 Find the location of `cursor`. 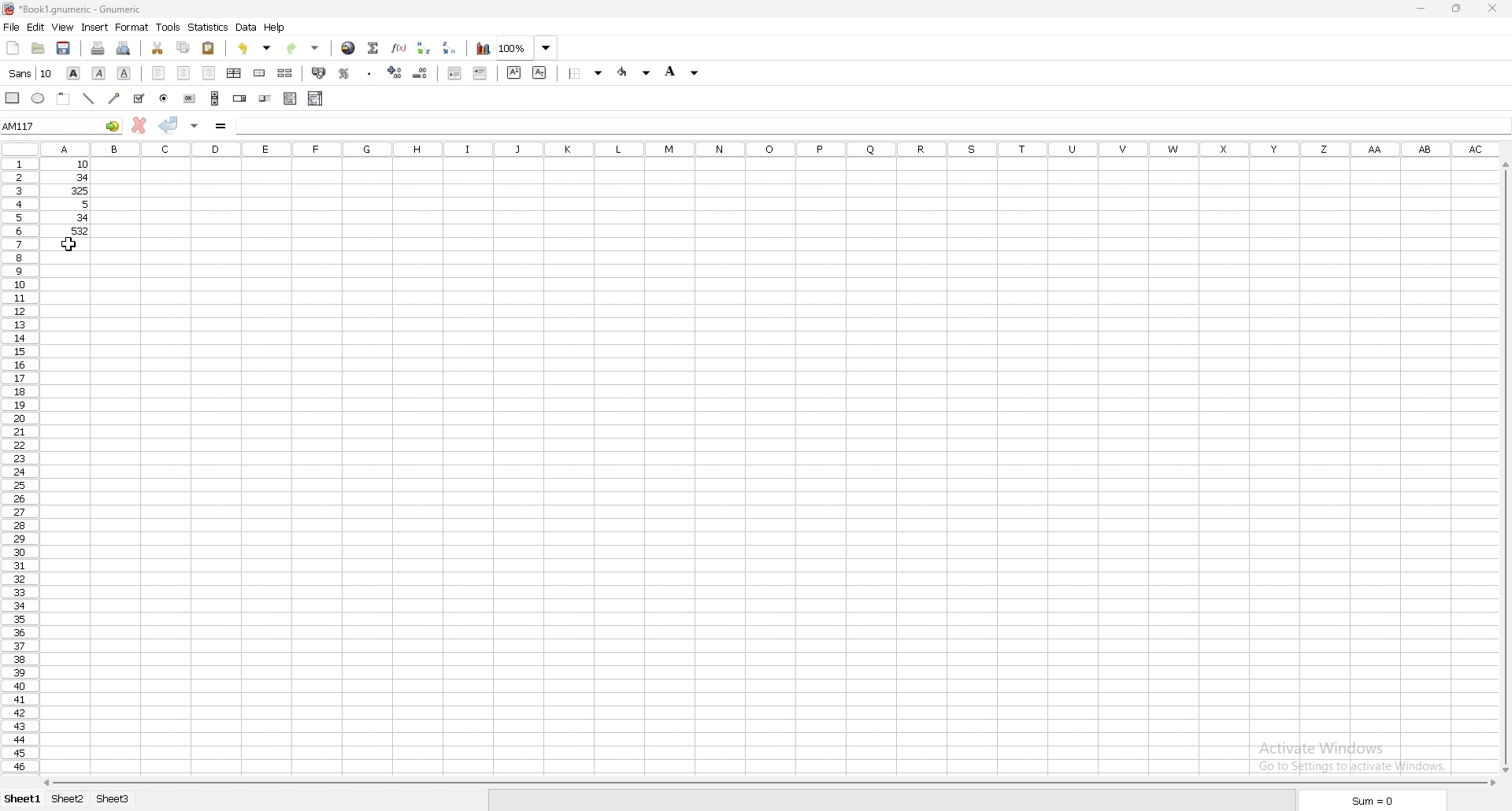

cursor is located at coordinates (69, 243).